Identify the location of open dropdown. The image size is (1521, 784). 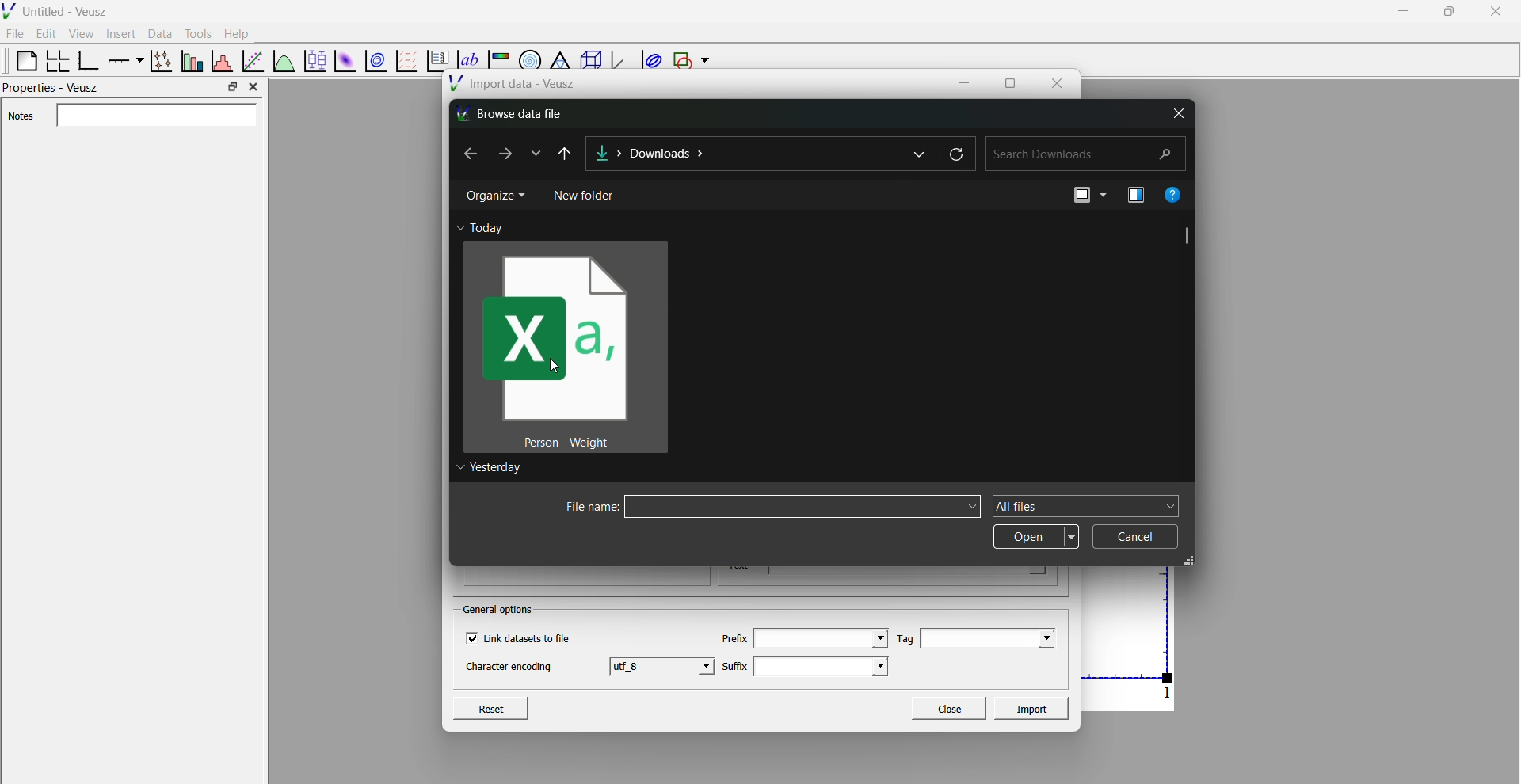
(1035, 535).